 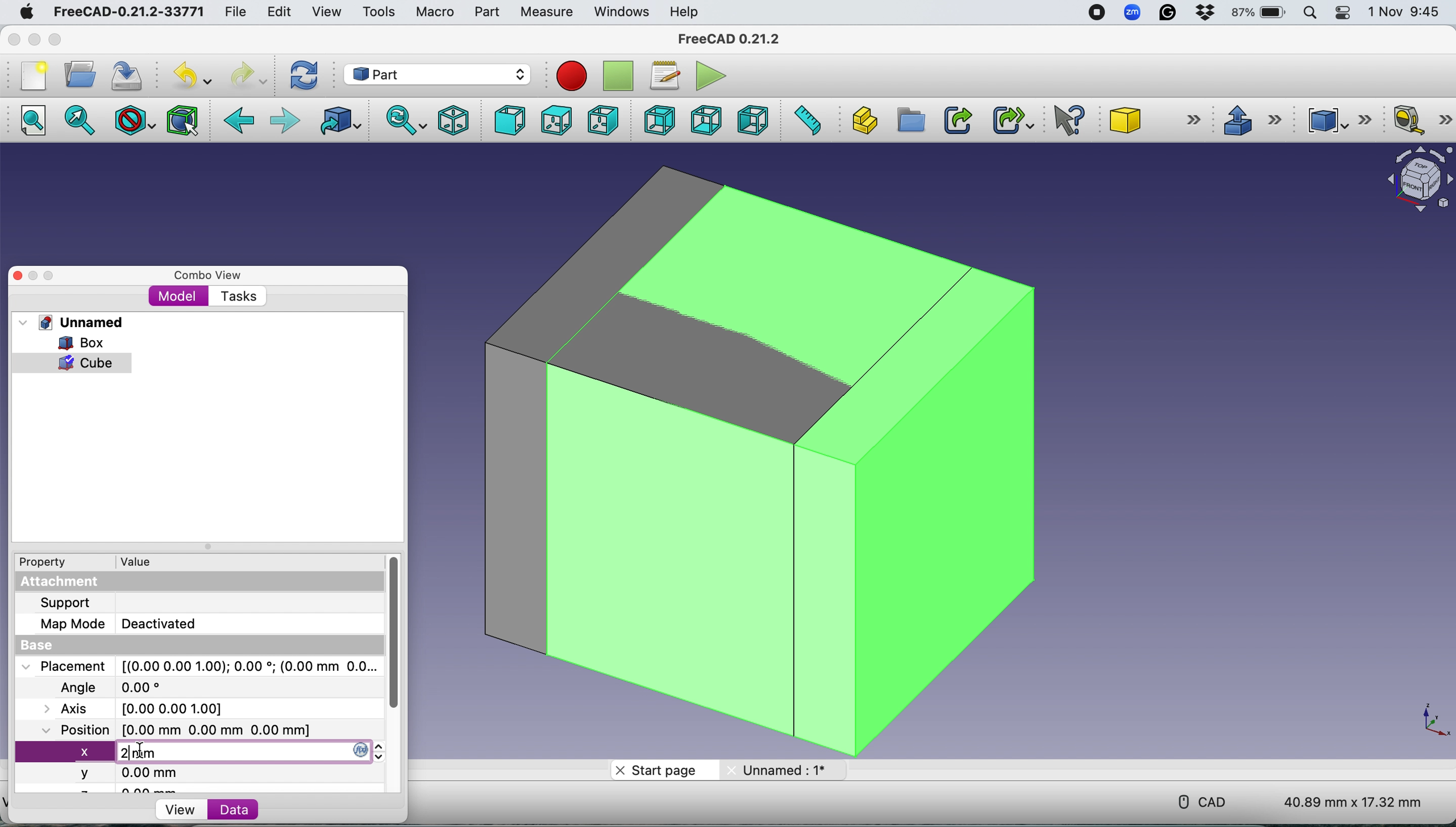 I want to click on Edit, so click(x=277, y=12).